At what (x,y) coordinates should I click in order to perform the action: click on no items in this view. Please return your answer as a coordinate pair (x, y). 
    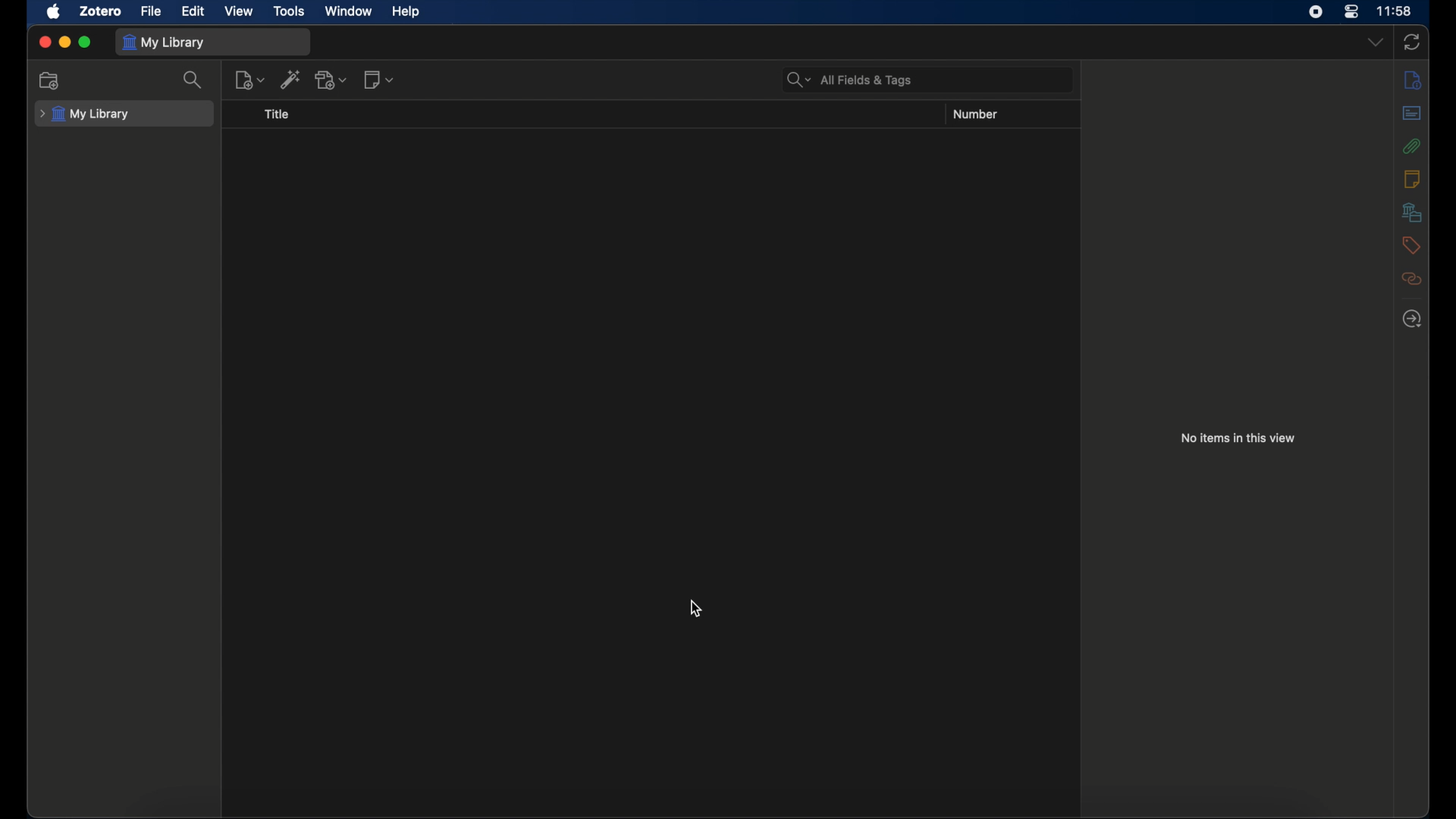
    Looking at the image, I should click on (1241, 438).